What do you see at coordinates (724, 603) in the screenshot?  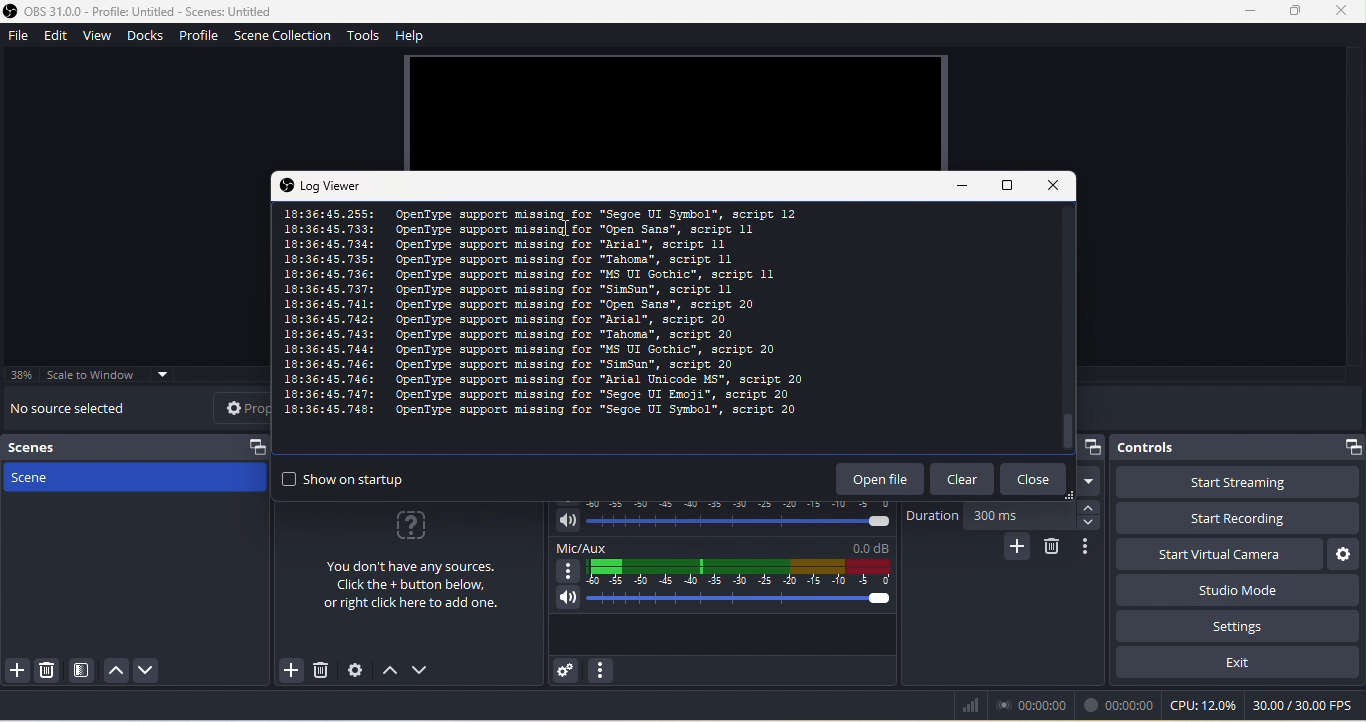 I see `volume` at bounding box center [724, 603].